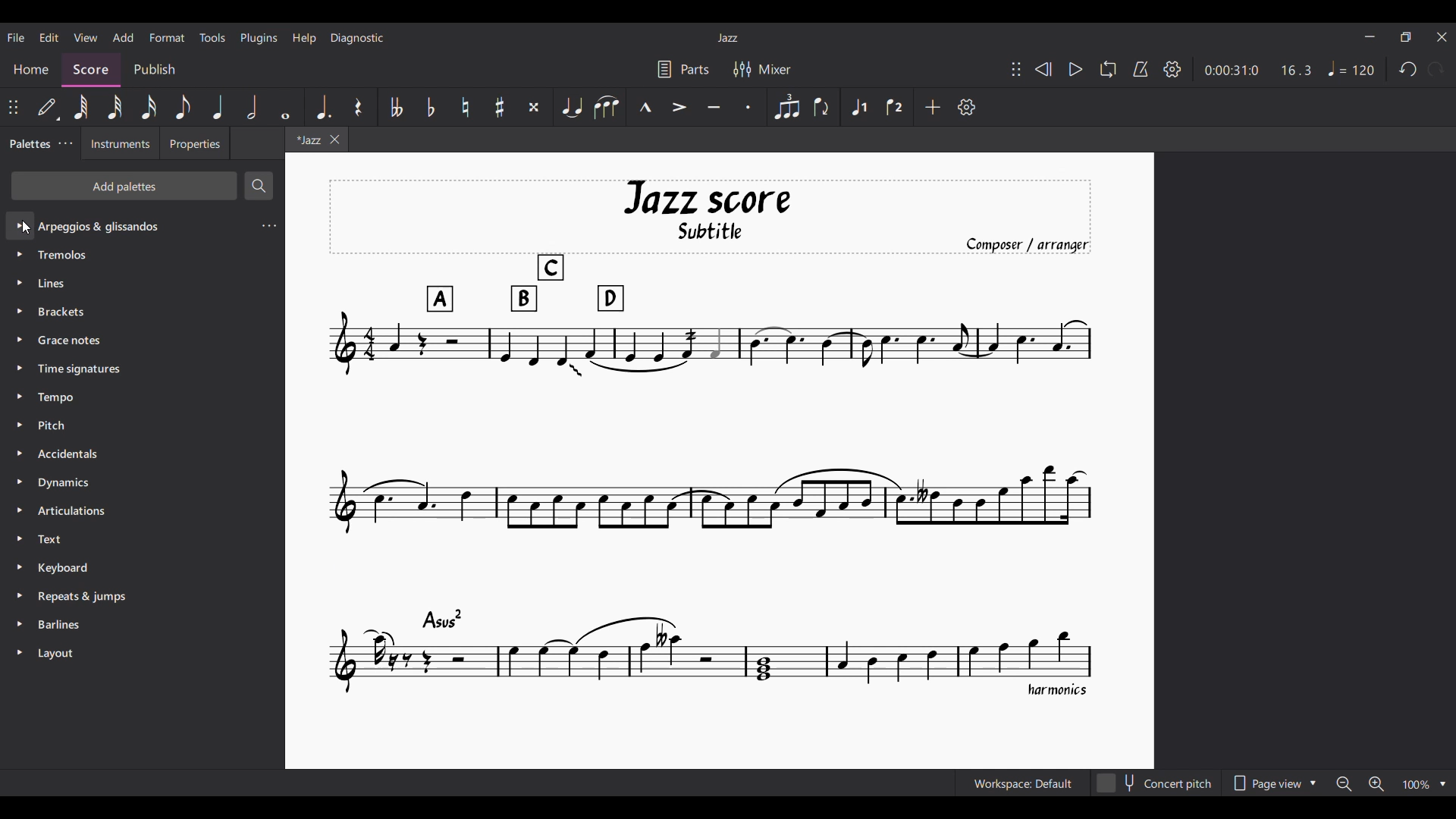 This screenshot has height=819, width=1456. What do you see at coordinates (13, 107) in the screenshot?
I see `Change position` at bounding box center [13, 107].